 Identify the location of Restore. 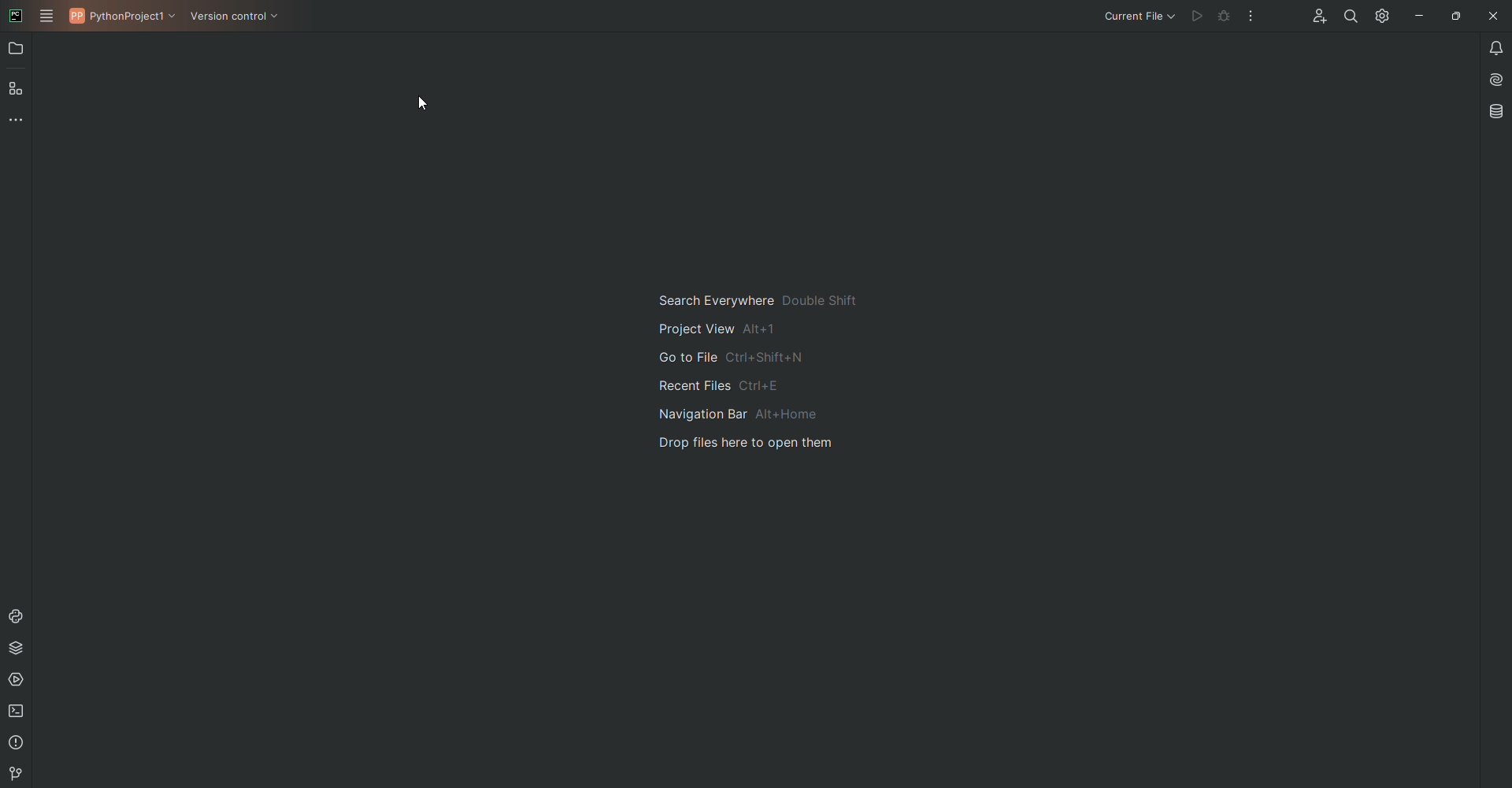
(1454, 15).